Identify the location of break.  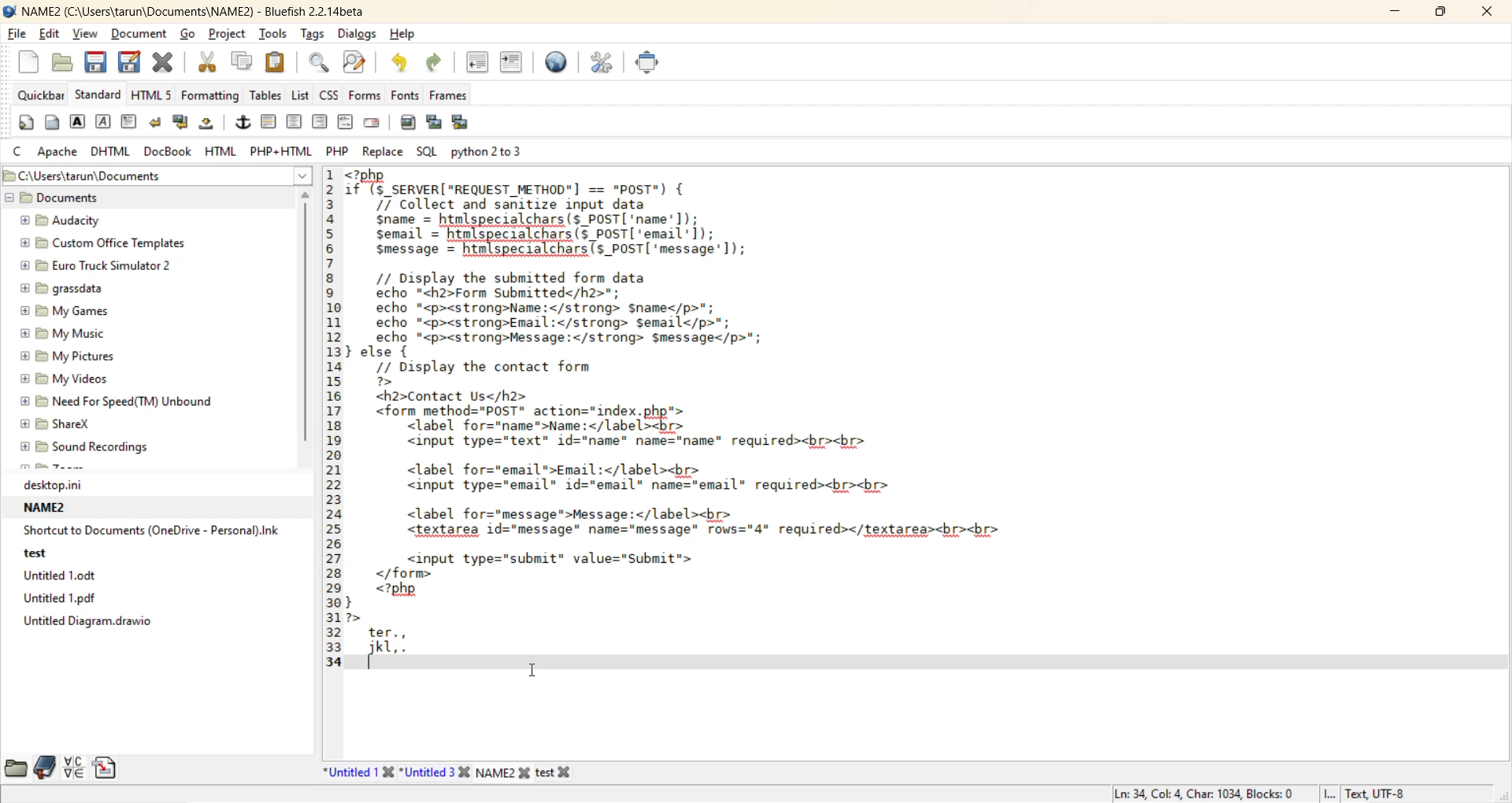
(155, 125).